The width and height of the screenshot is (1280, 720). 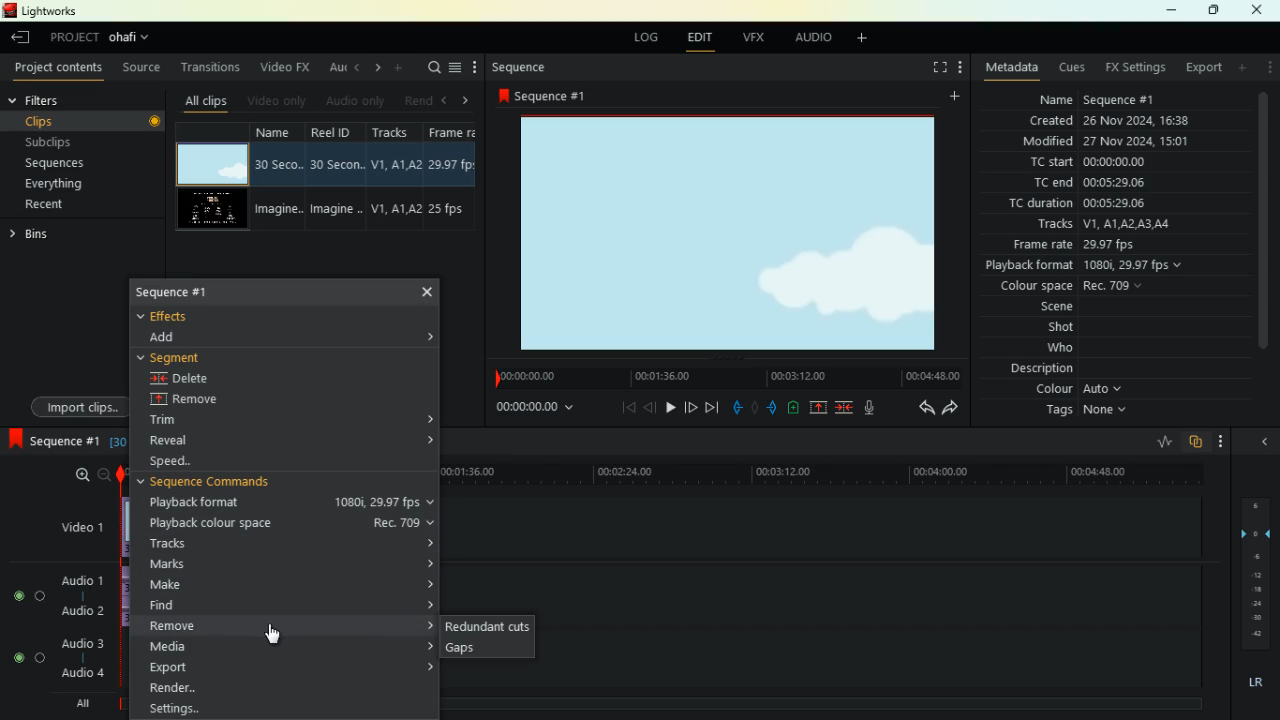 I want to click on description, so click(x=1041, y=370).